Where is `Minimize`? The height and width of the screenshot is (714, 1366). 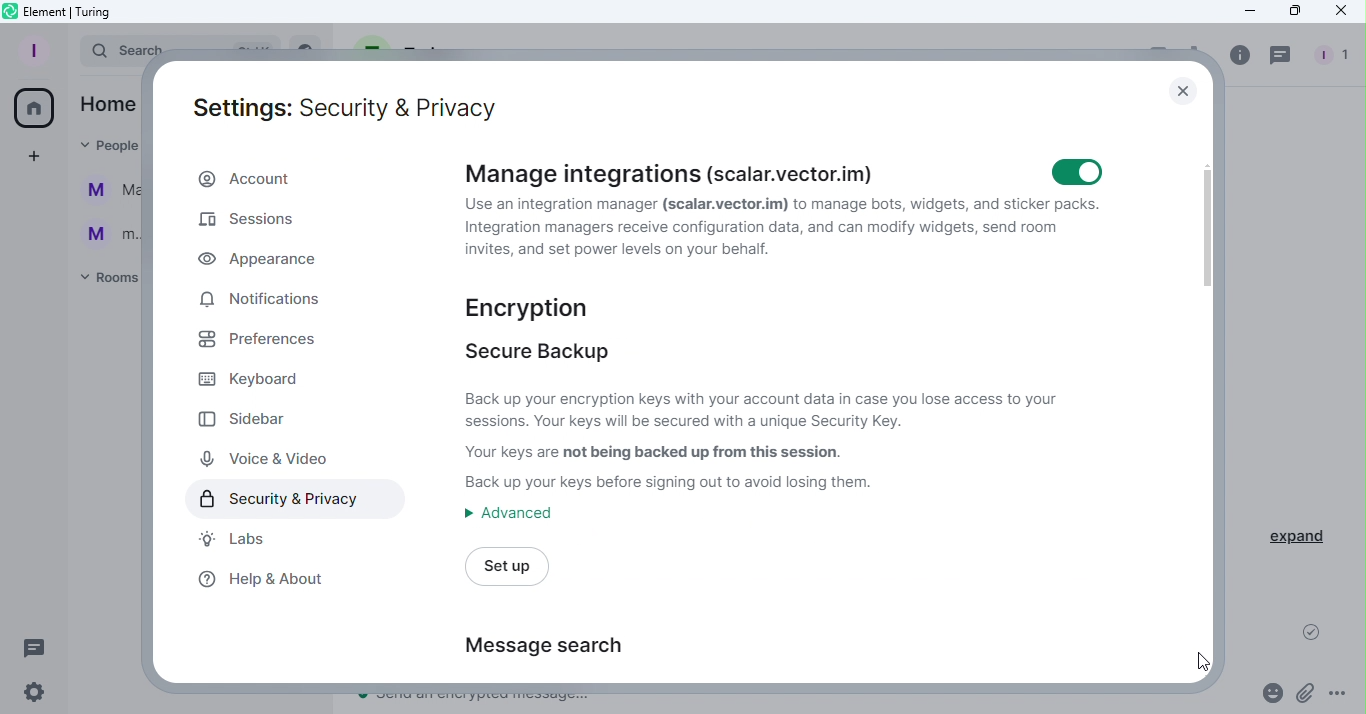
Minimize is located at coordinates (1244, 13).